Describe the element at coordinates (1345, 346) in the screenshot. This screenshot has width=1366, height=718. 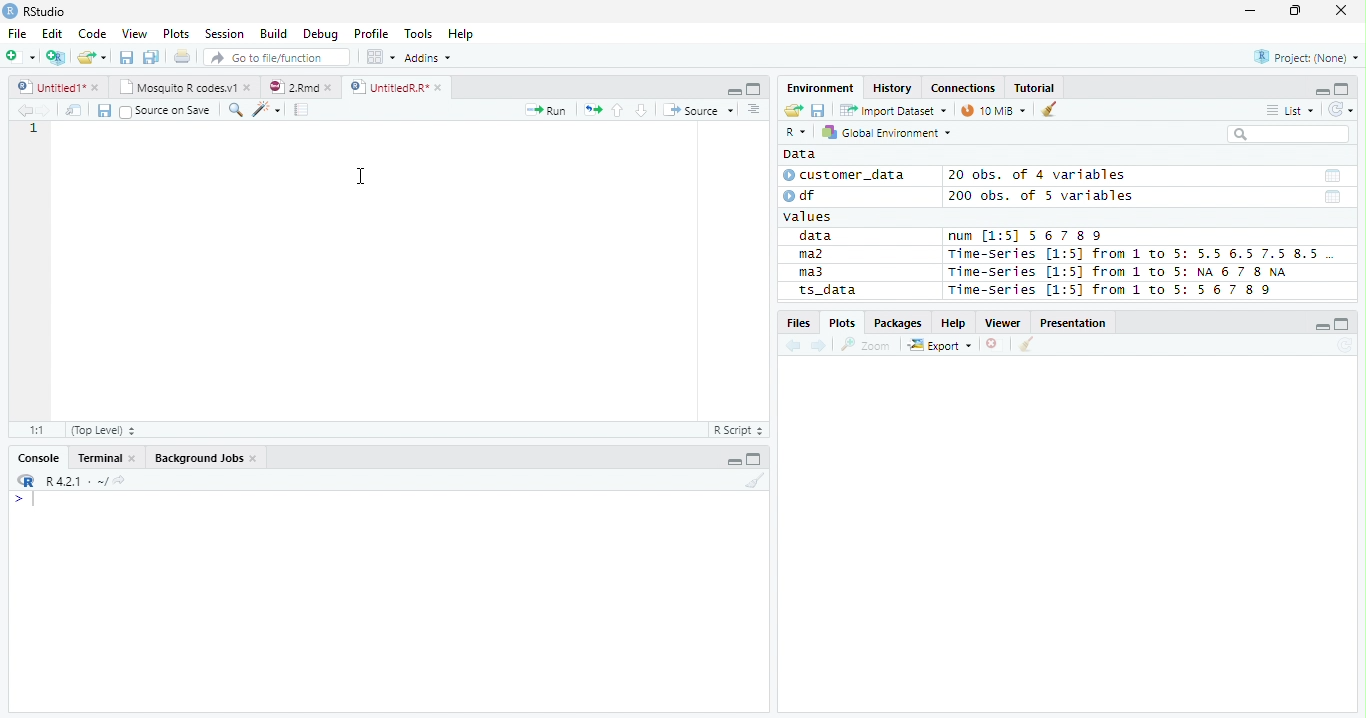
I see `Refresh` at that location.